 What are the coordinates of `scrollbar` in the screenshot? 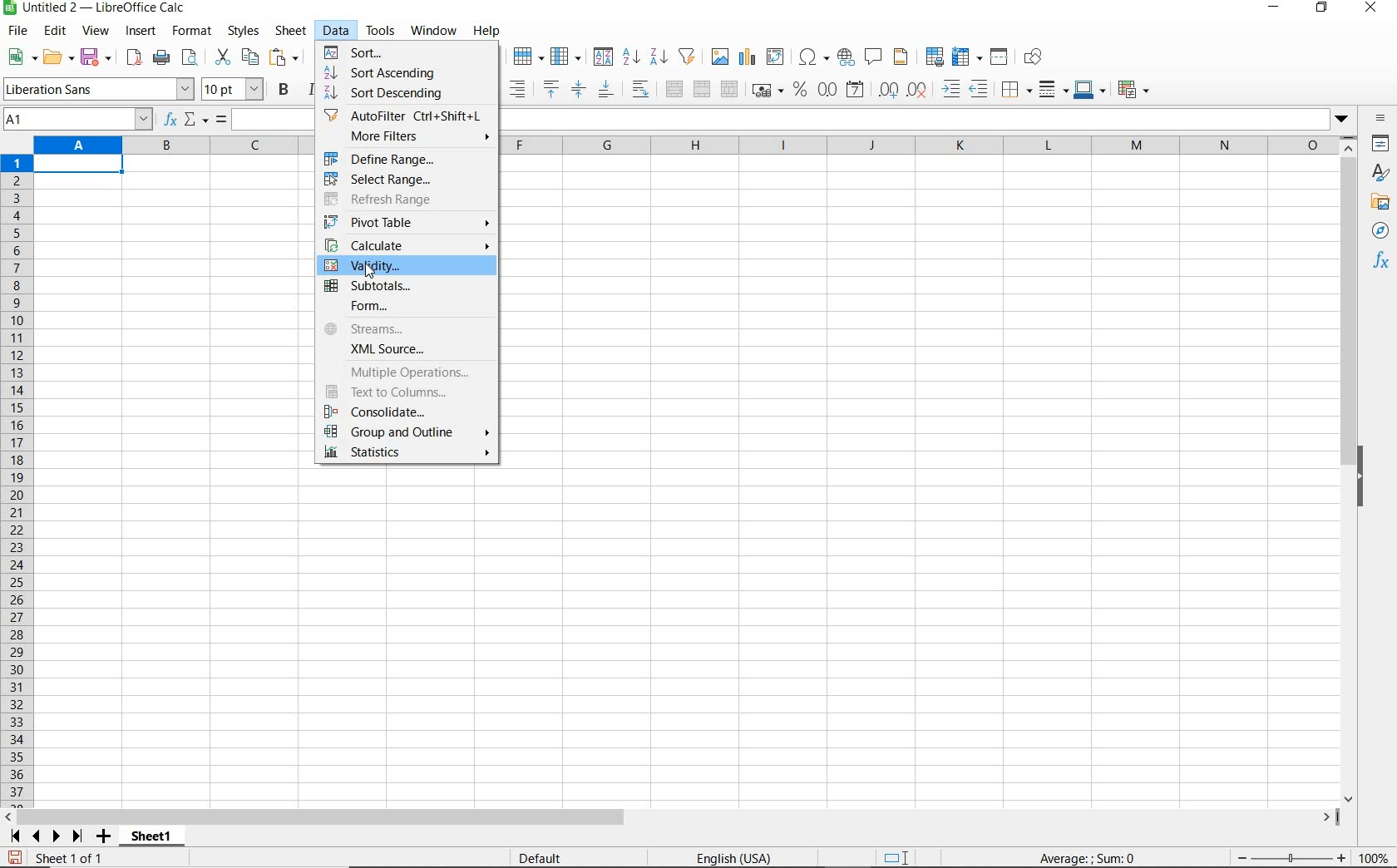 It's located at (1350, 470).